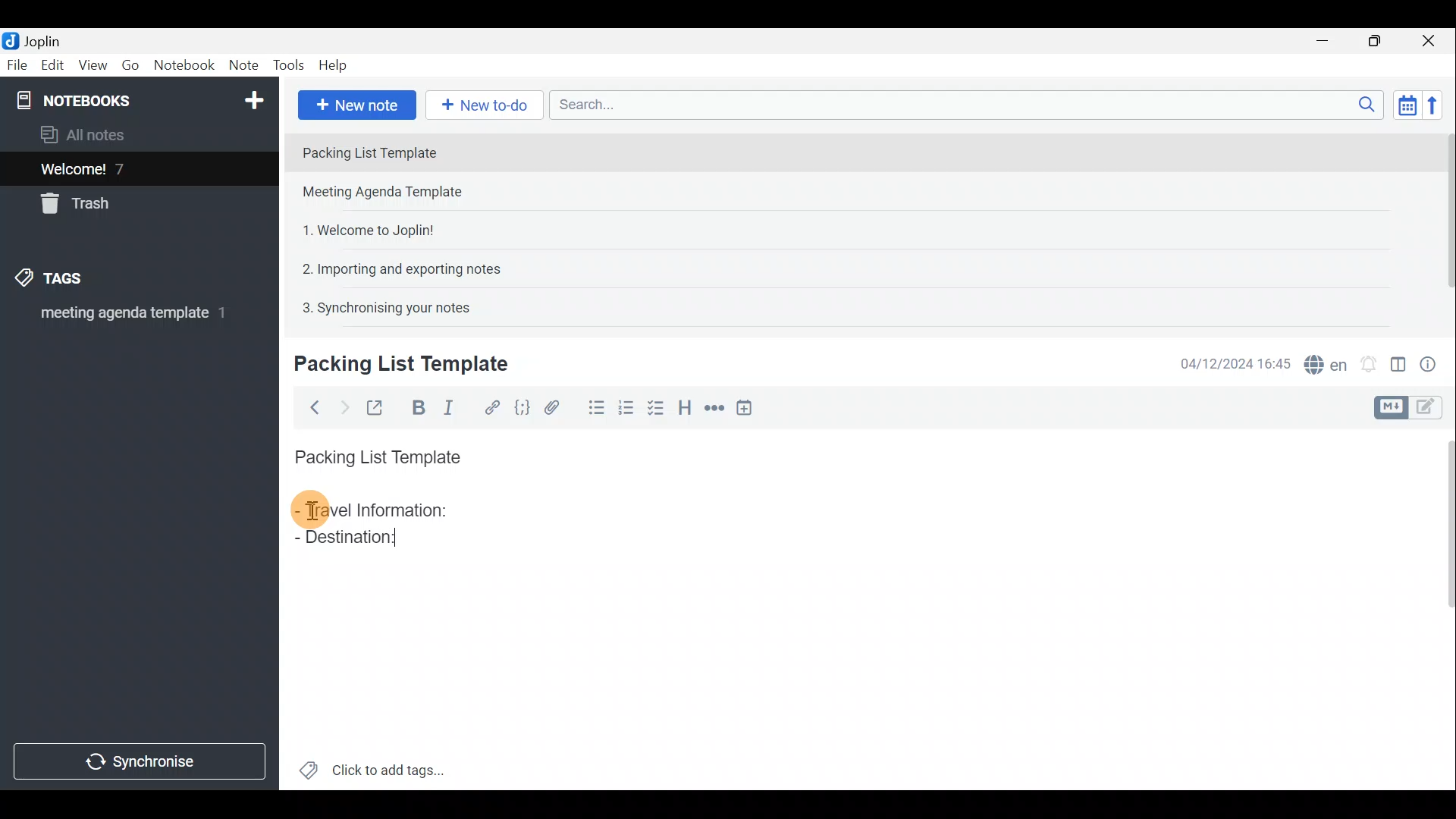 The width and height of the screenshot is (1456, 819). Describe the element at coordinates (1433, 362) in the screenshot. I see `Note properties` at that location.